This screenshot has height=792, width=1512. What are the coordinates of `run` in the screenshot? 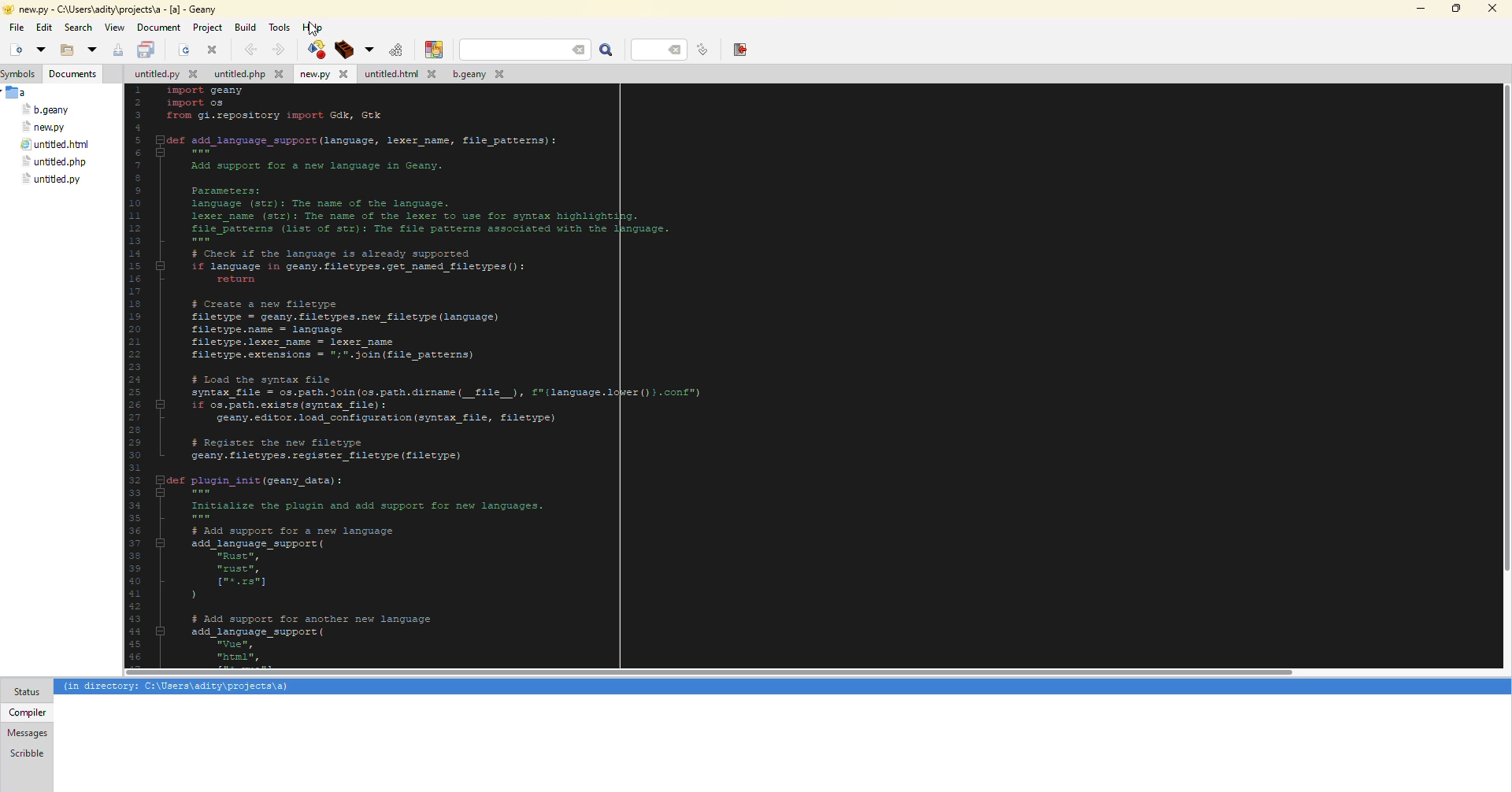 It's located at (394, 50).